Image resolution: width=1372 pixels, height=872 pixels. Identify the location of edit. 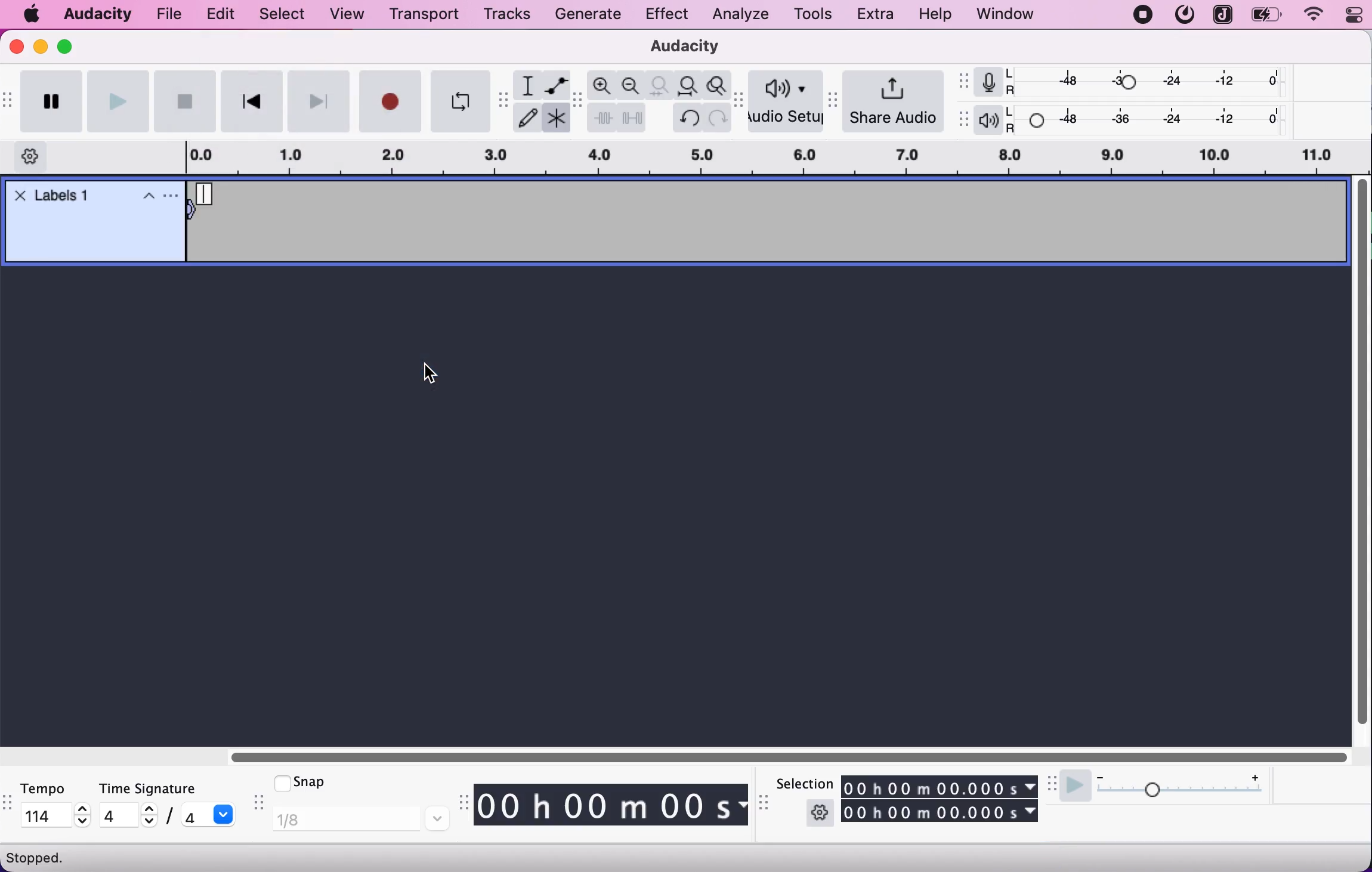
(218, 16).